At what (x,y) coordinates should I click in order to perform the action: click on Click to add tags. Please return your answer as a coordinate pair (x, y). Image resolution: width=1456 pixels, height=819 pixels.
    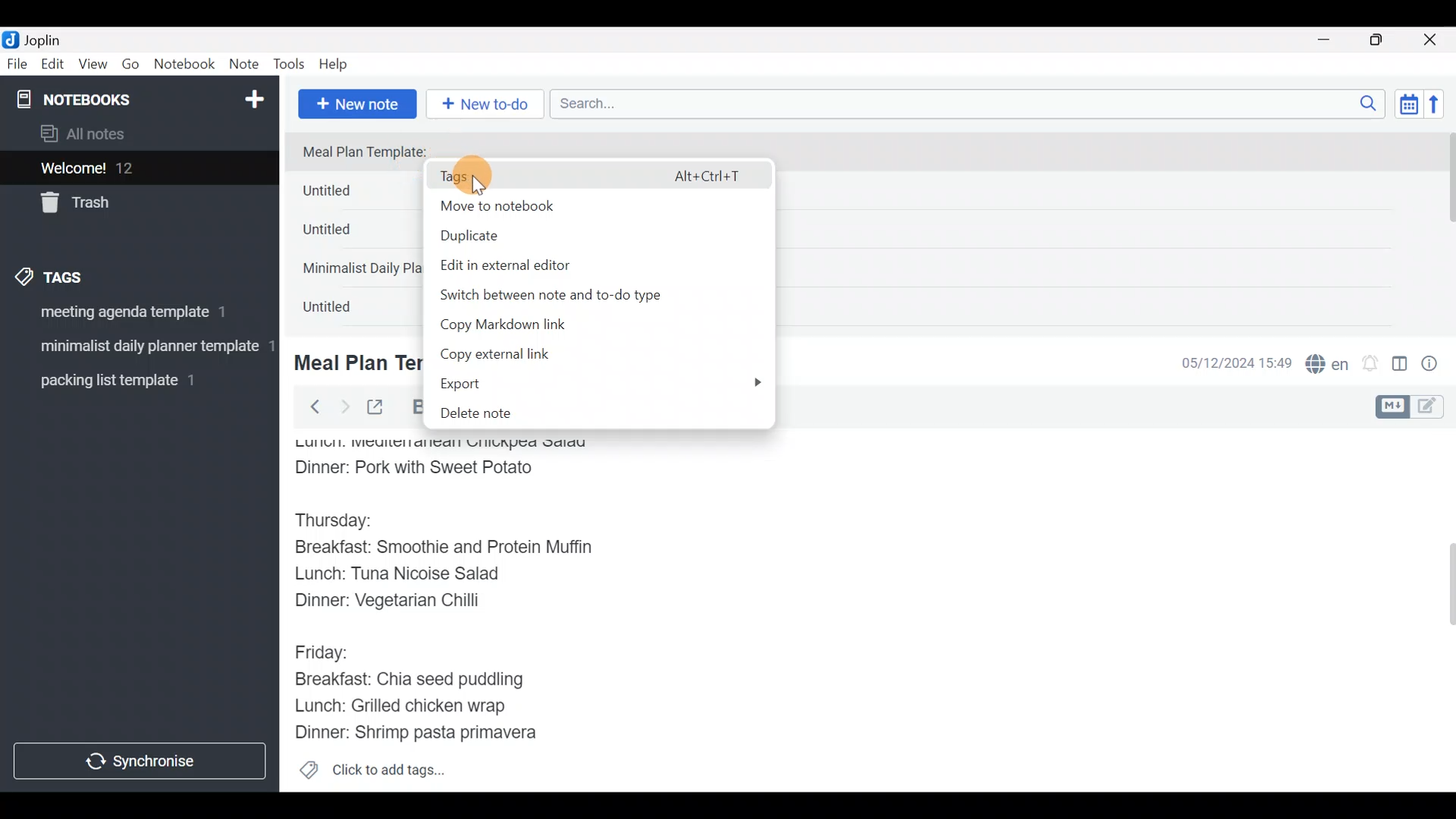
    Looking at the image, I should click on (372, 775).